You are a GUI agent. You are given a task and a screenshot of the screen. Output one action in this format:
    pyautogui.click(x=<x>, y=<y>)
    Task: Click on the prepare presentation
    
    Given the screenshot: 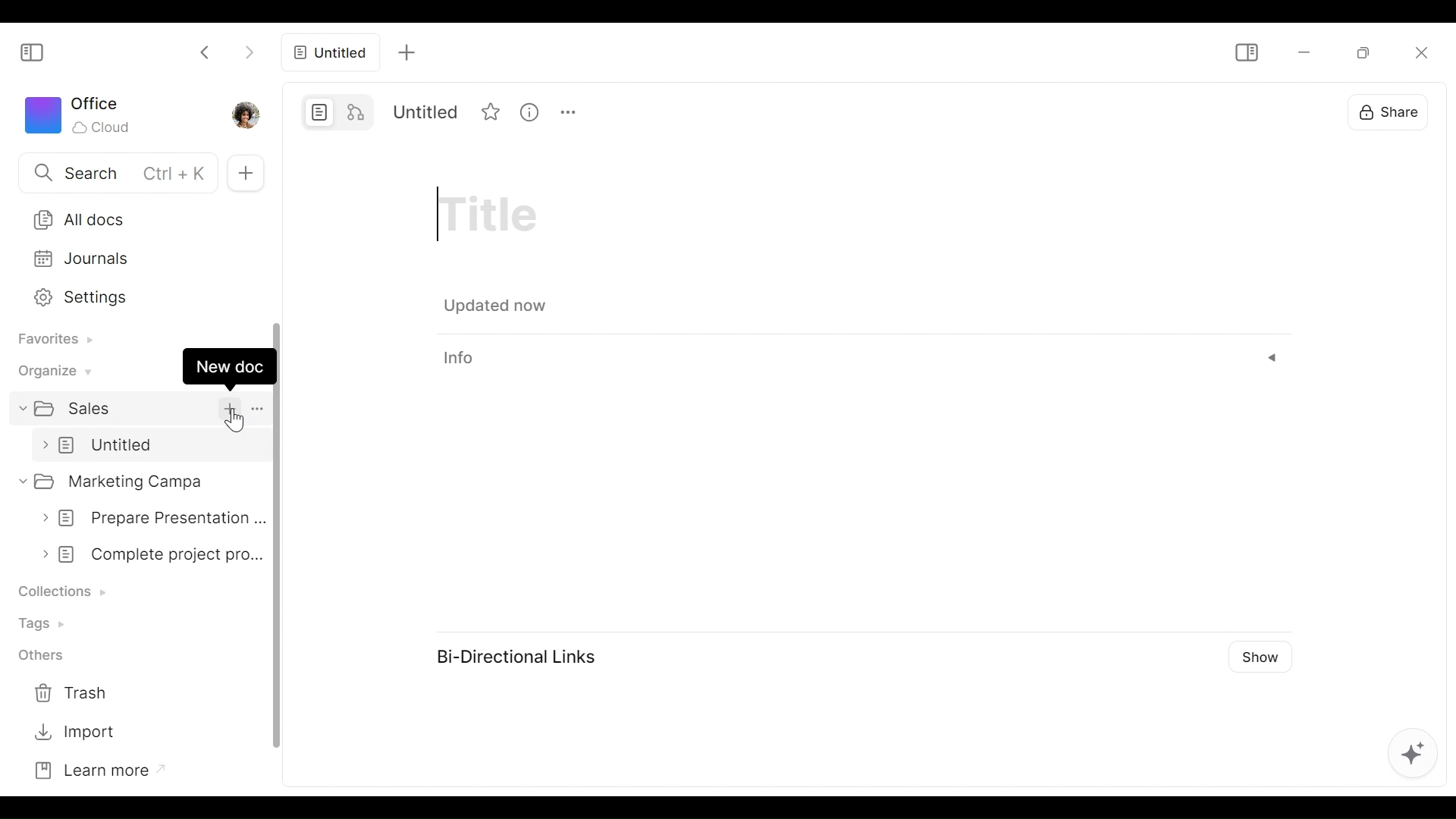 What is the action you would take?
    pyautogui.click(x=152, y=516)
    